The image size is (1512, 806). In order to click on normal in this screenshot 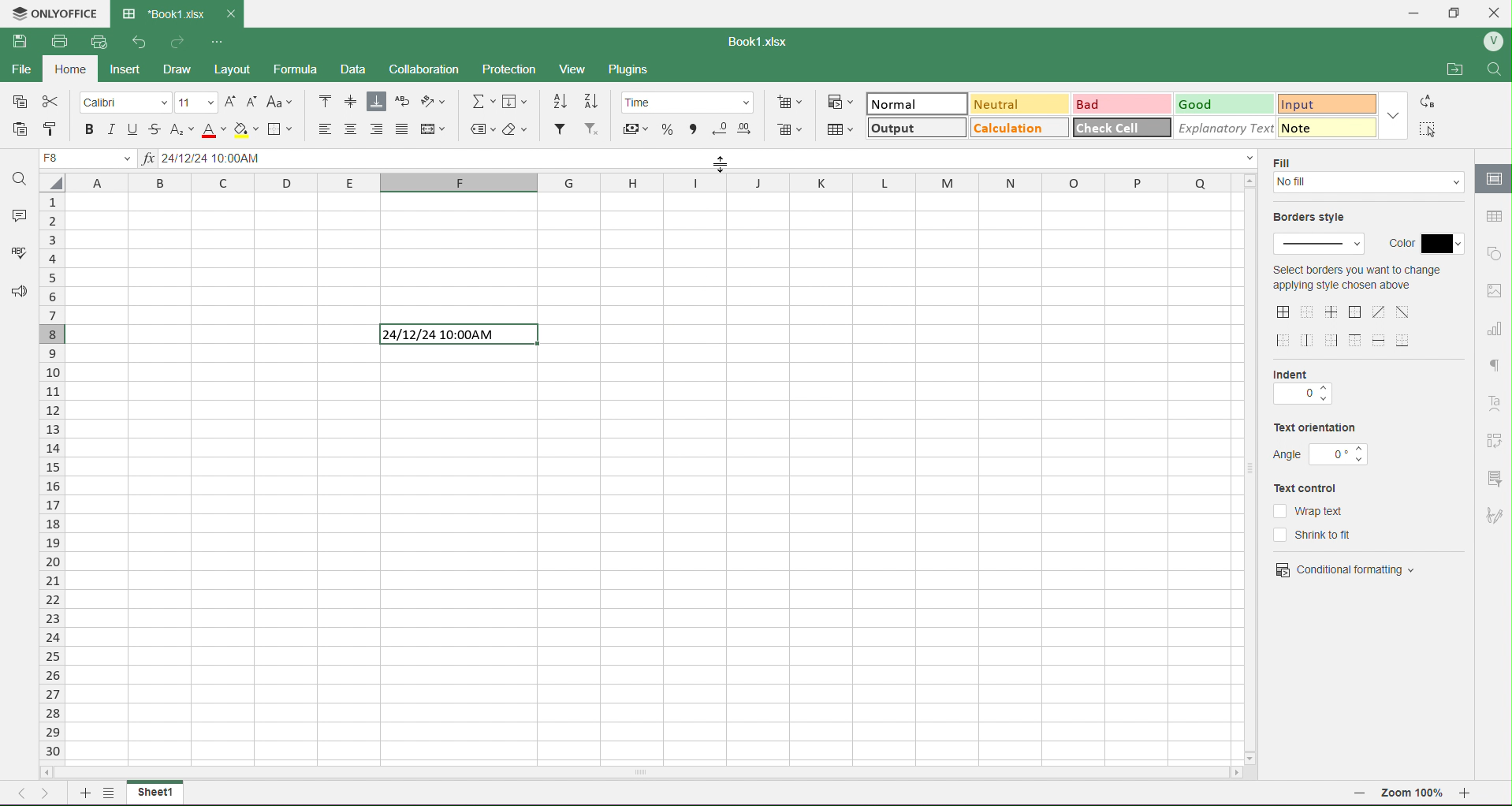, I will do `click(897, 104)`.